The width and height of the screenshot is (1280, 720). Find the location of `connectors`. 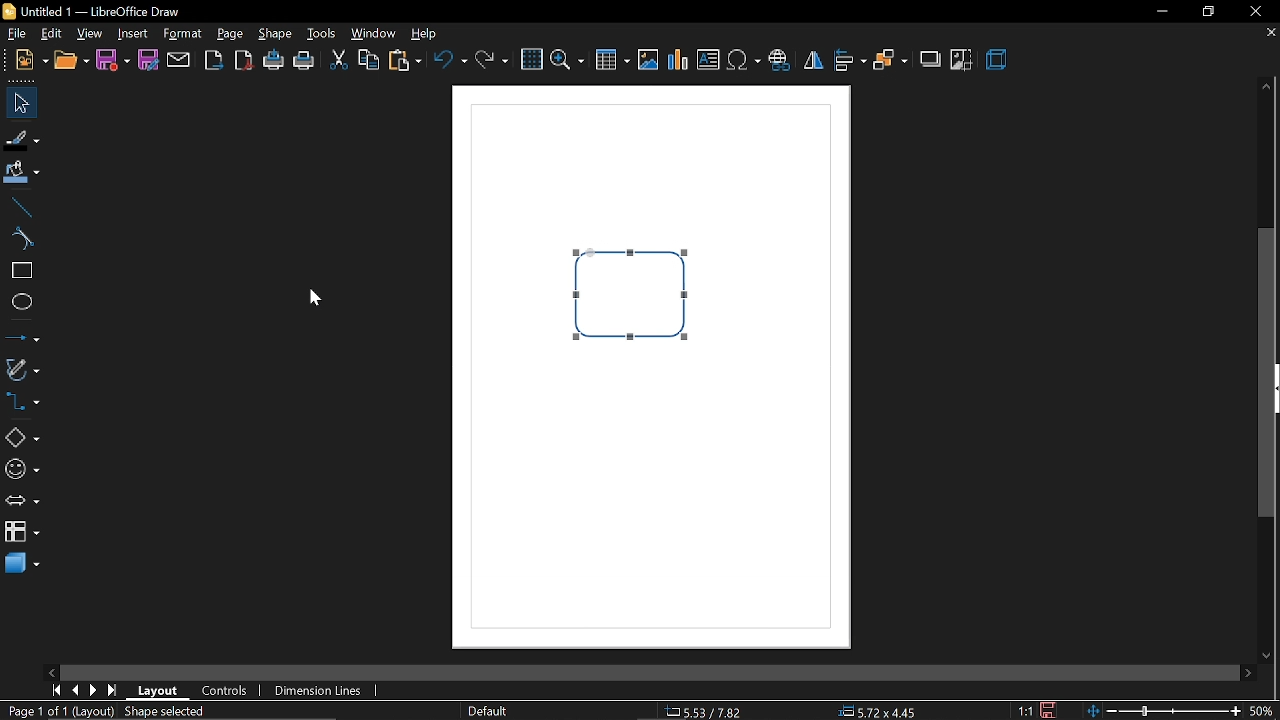

connectors is located at coordinates (21, 401).